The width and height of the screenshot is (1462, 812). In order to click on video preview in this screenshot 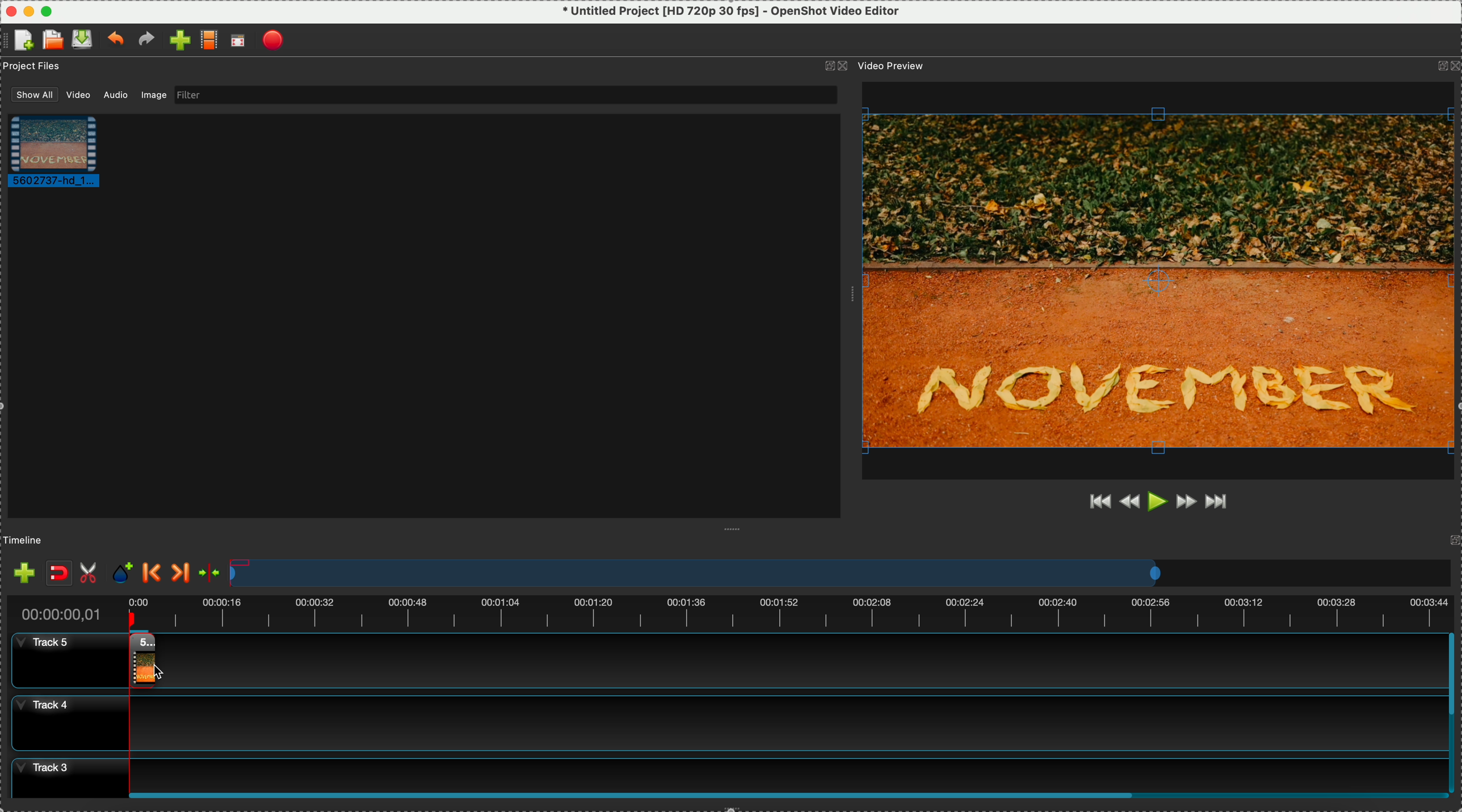, I will do `click(1161, 280)`.